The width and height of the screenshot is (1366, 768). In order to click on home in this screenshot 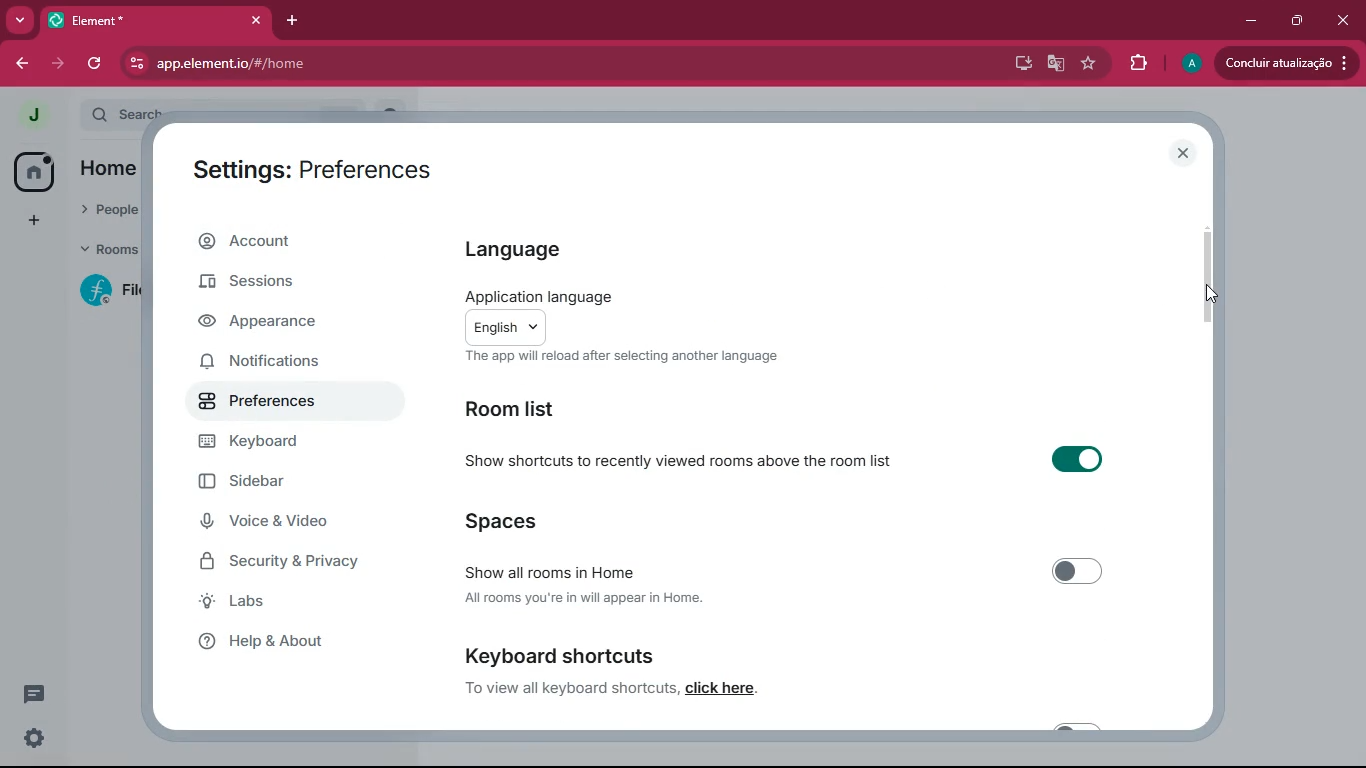, I will do `click(107, 171)`.